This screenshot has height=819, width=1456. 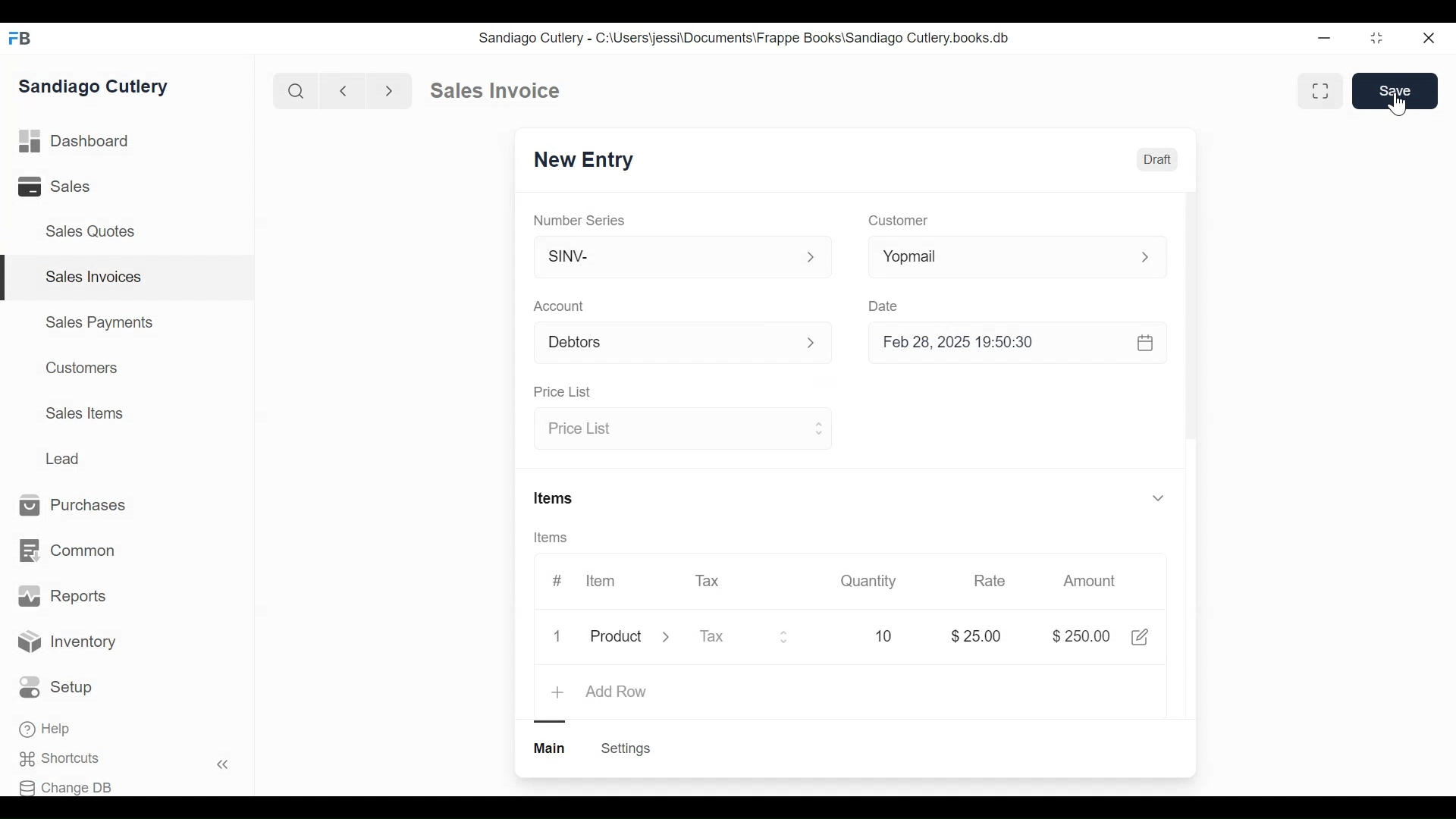 I want to click on + Add Row, so click(x=601, y=693).